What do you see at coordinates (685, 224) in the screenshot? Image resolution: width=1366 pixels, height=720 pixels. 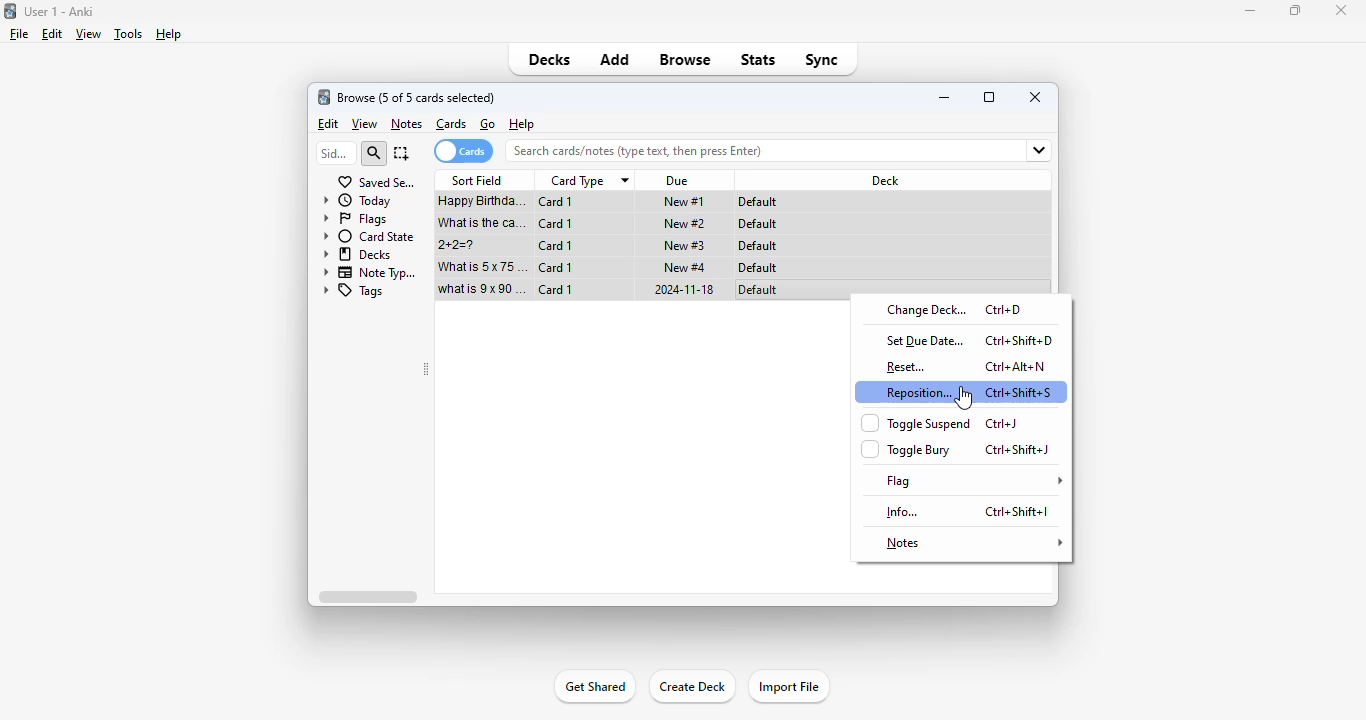 I see `new #2` at bounding box center [685, 224].